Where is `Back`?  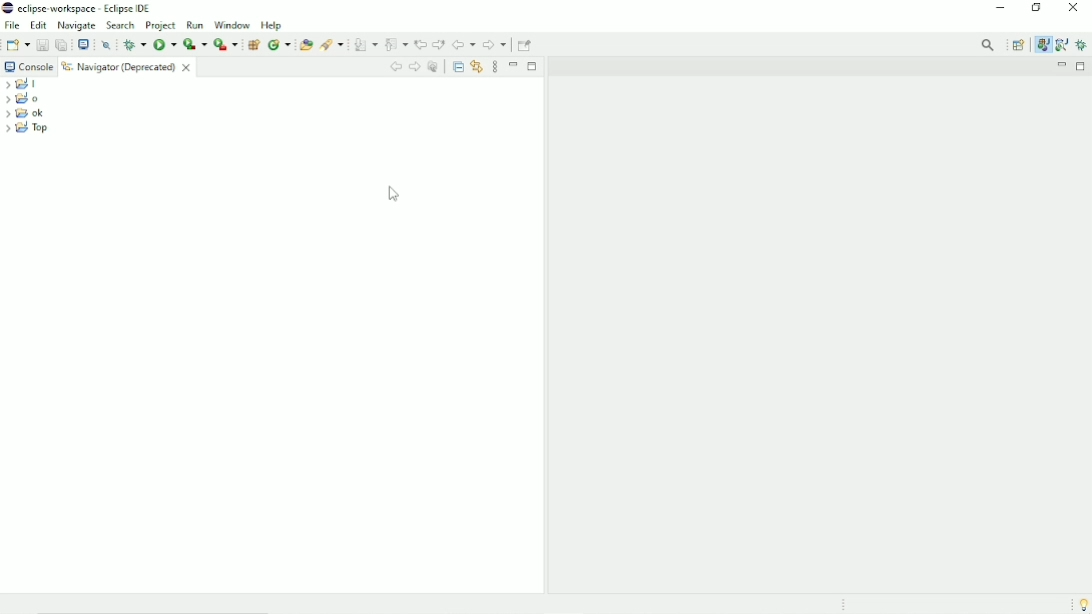 Back is located at coordinates (464, 45).